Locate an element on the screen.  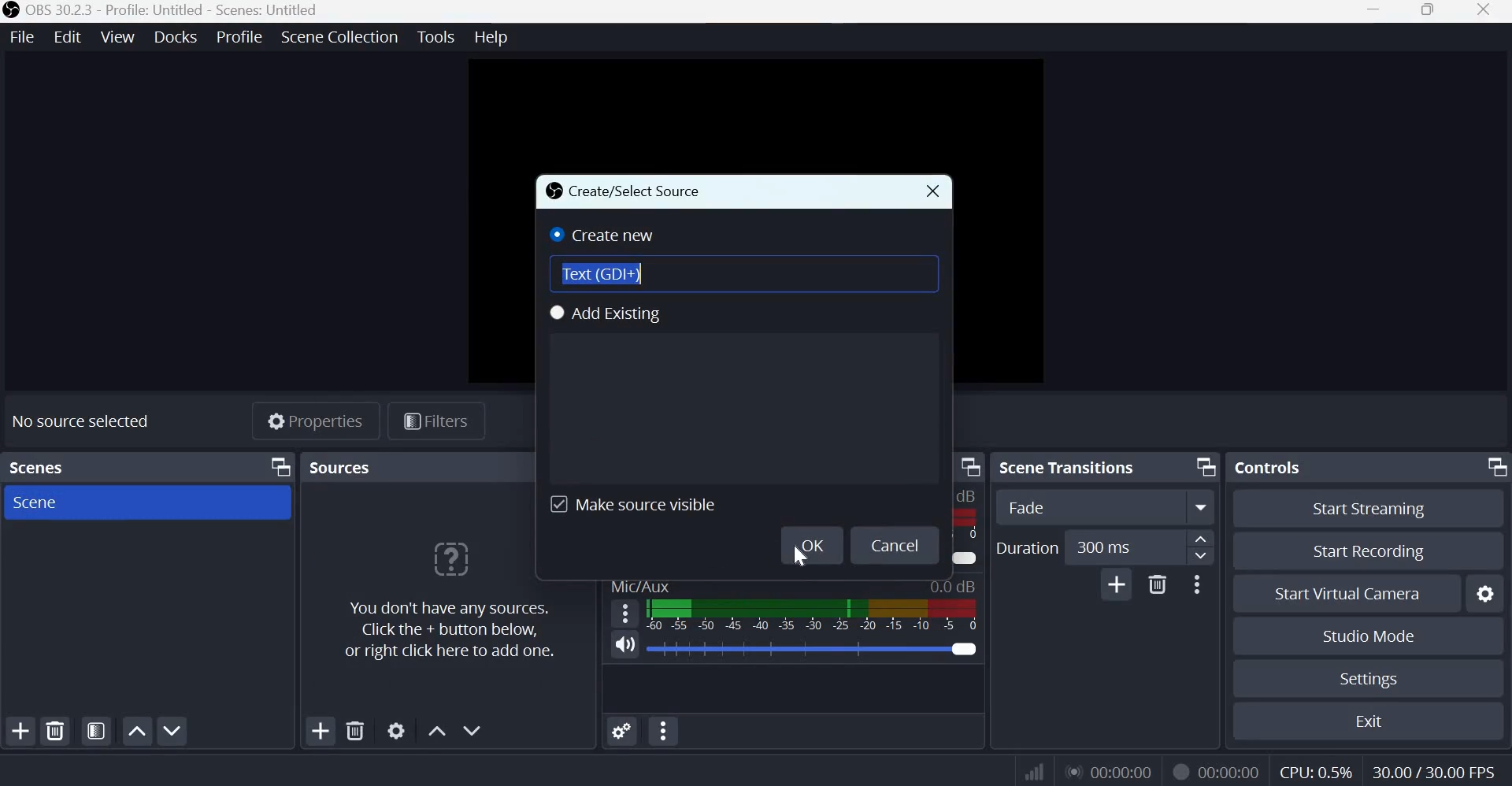
Docks is located at coordinates (176, 37).